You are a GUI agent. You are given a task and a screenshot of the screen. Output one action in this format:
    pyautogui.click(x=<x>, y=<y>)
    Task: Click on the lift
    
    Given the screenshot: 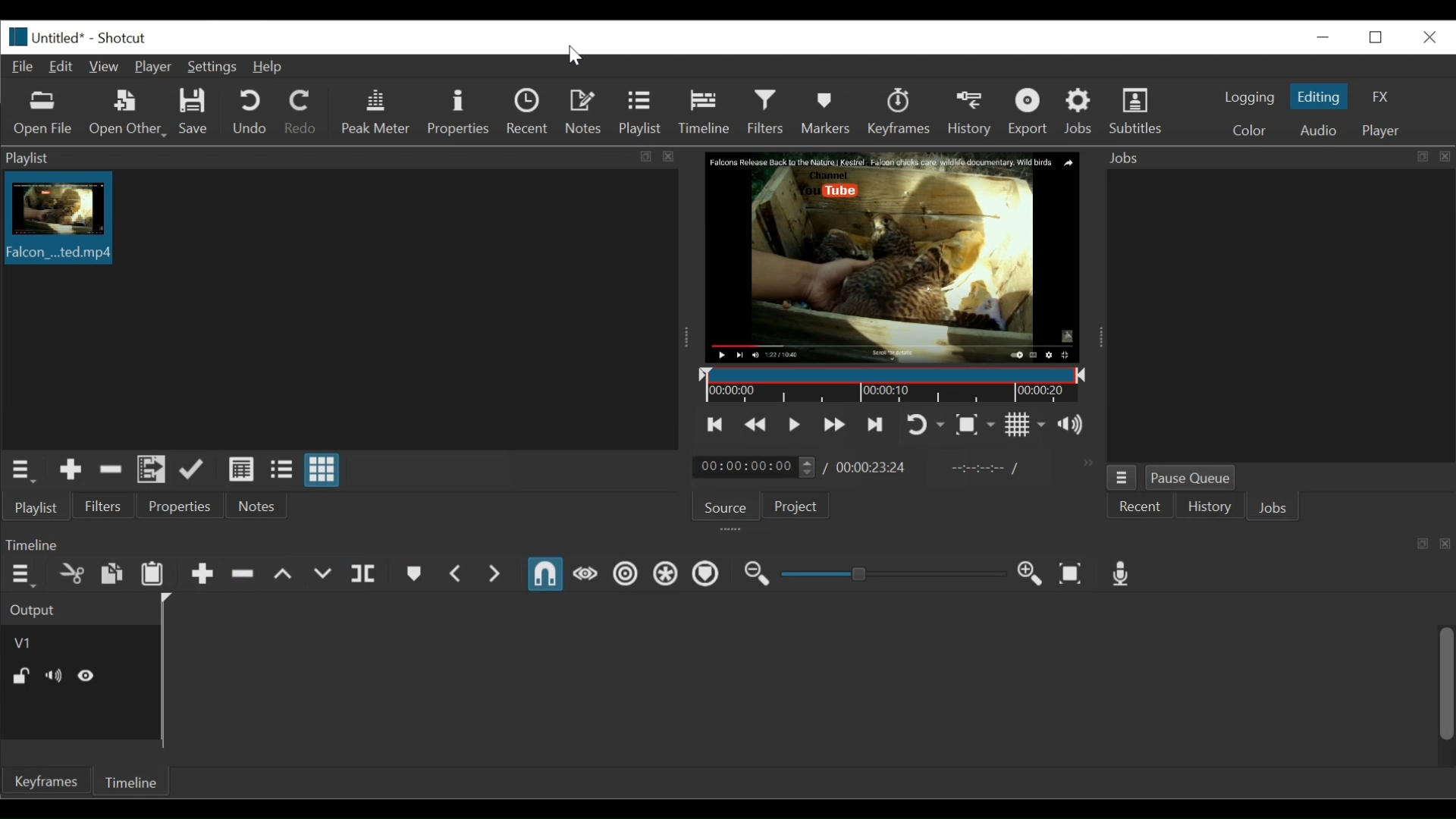 What is the action you would take?
    pyautogui.click(x=283, y=576)
    